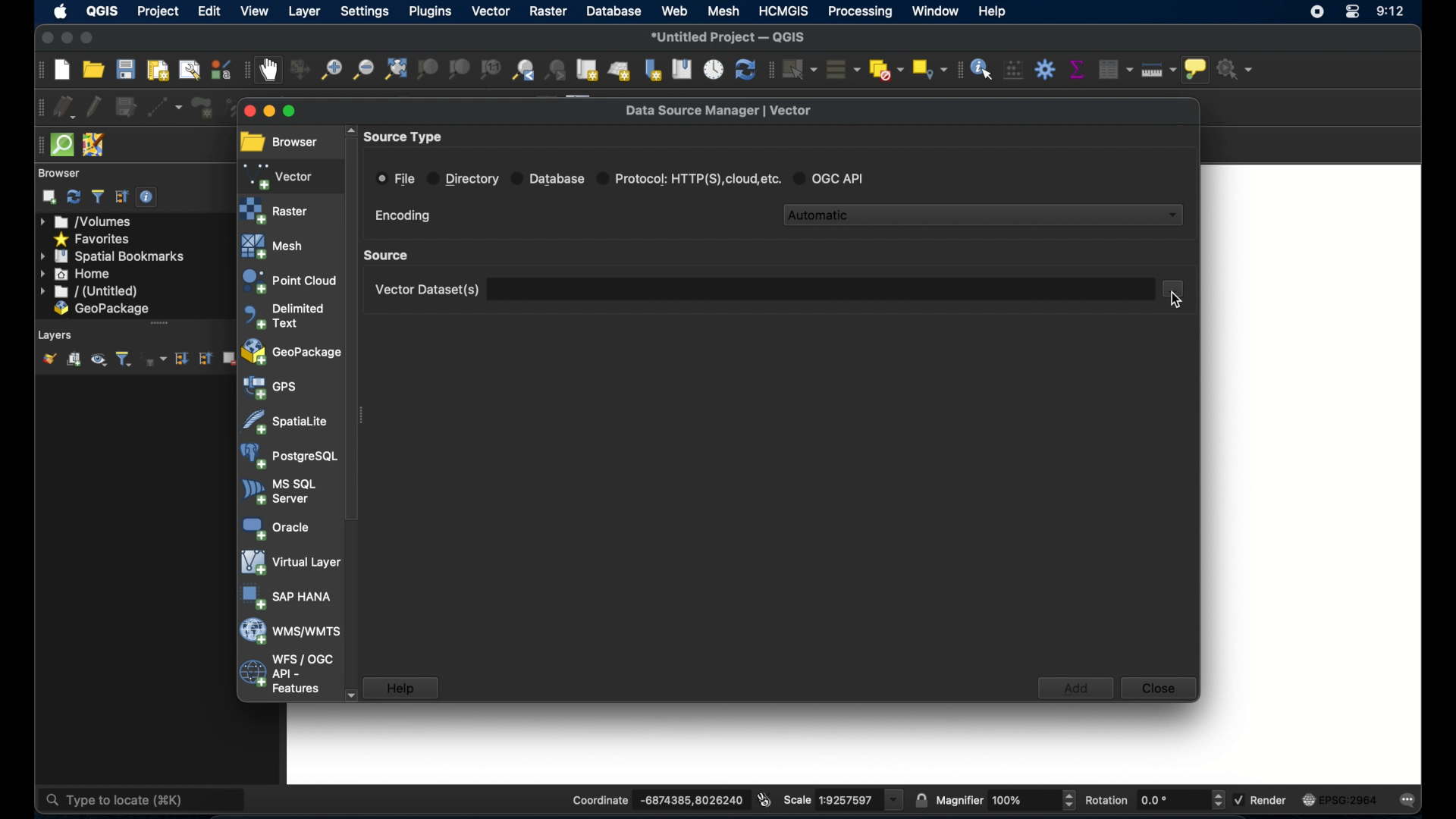 Image resolution: width=1456 pixels, height=819 pixels. I want to click on rotation, so click(1155, 800).